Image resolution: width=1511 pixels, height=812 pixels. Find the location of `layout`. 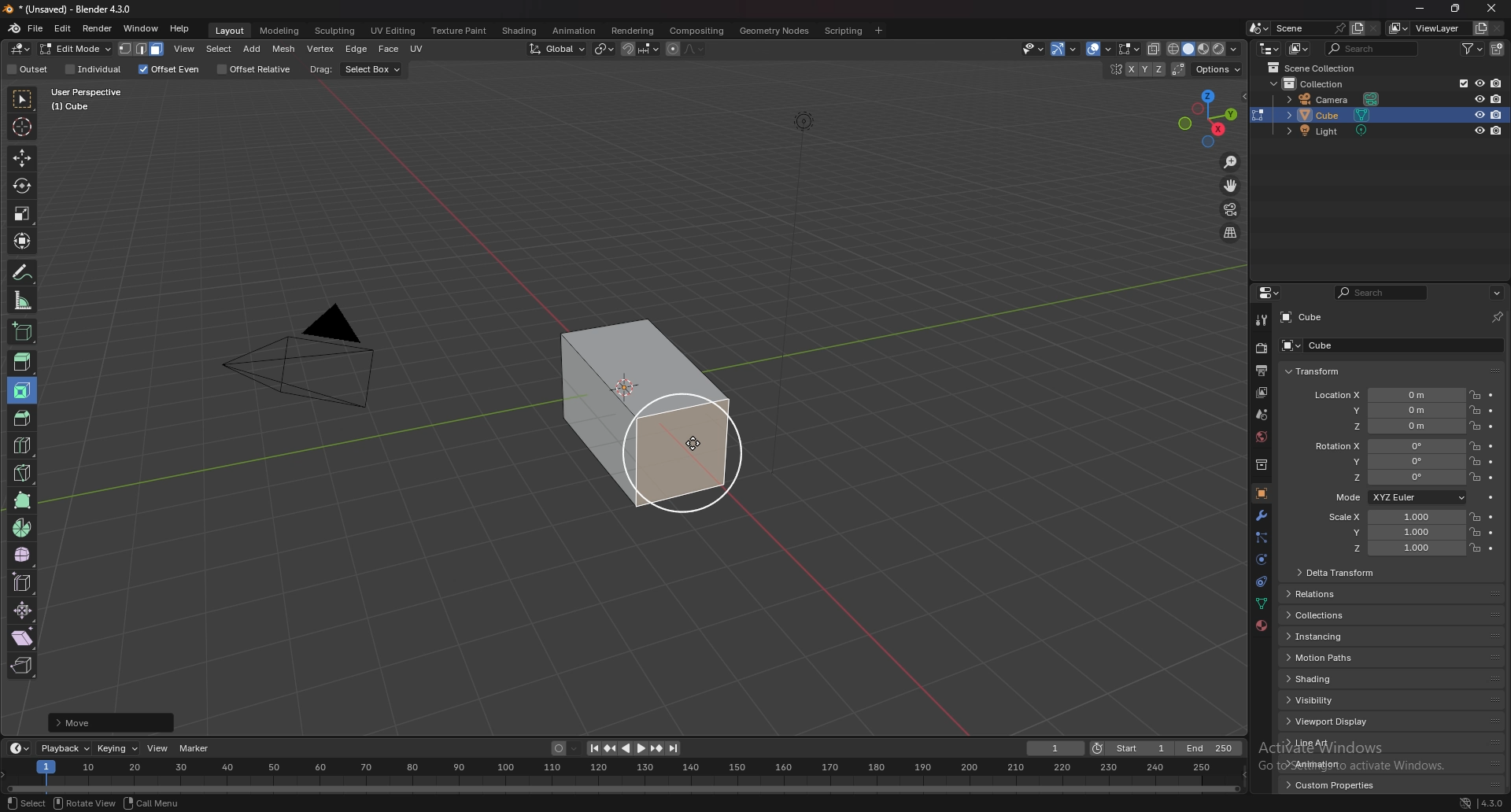

layout is located at coordinates (231, 31).